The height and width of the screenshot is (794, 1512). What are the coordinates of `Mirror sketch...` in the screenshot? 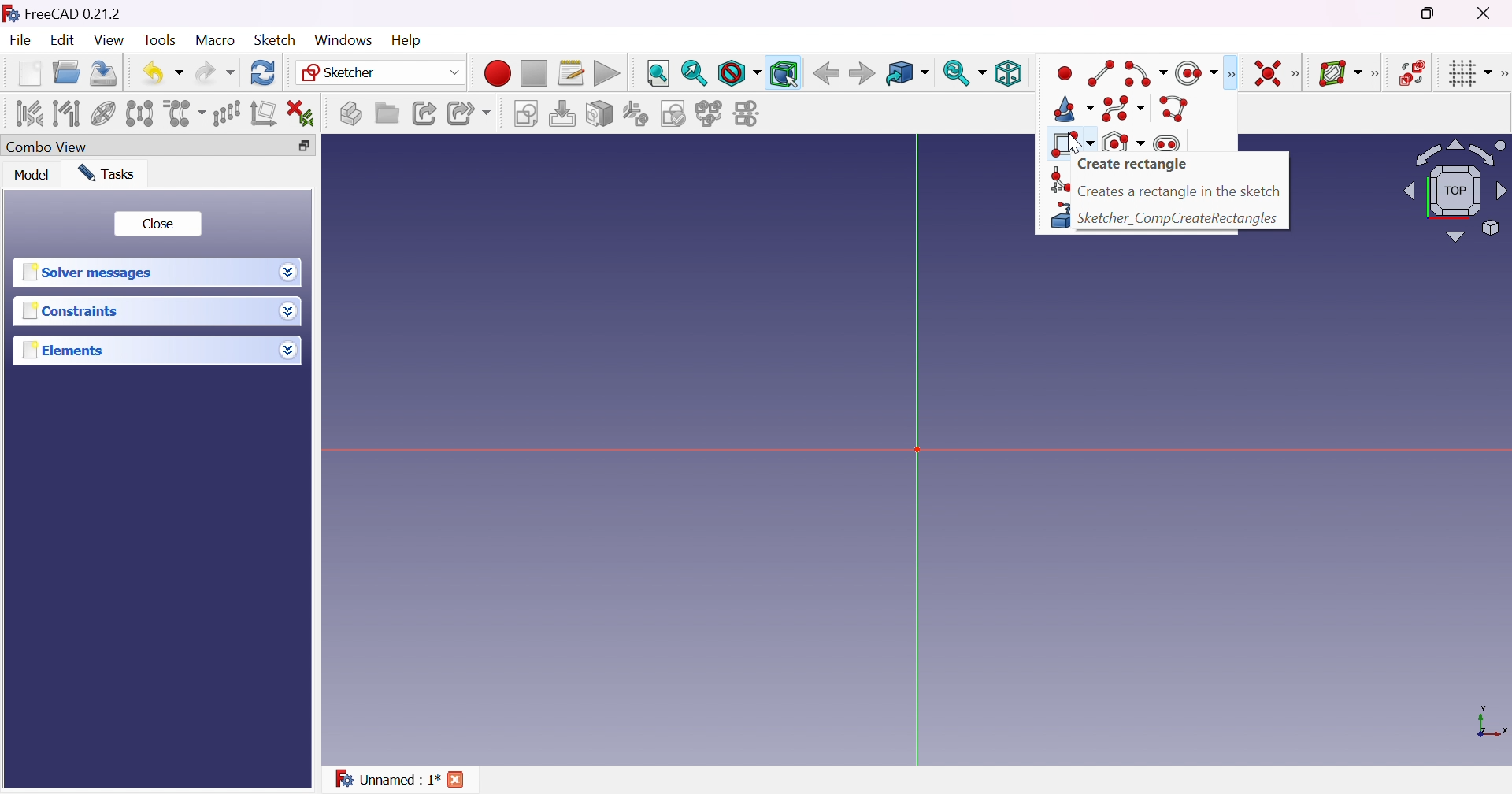 It's located at (748, 113).